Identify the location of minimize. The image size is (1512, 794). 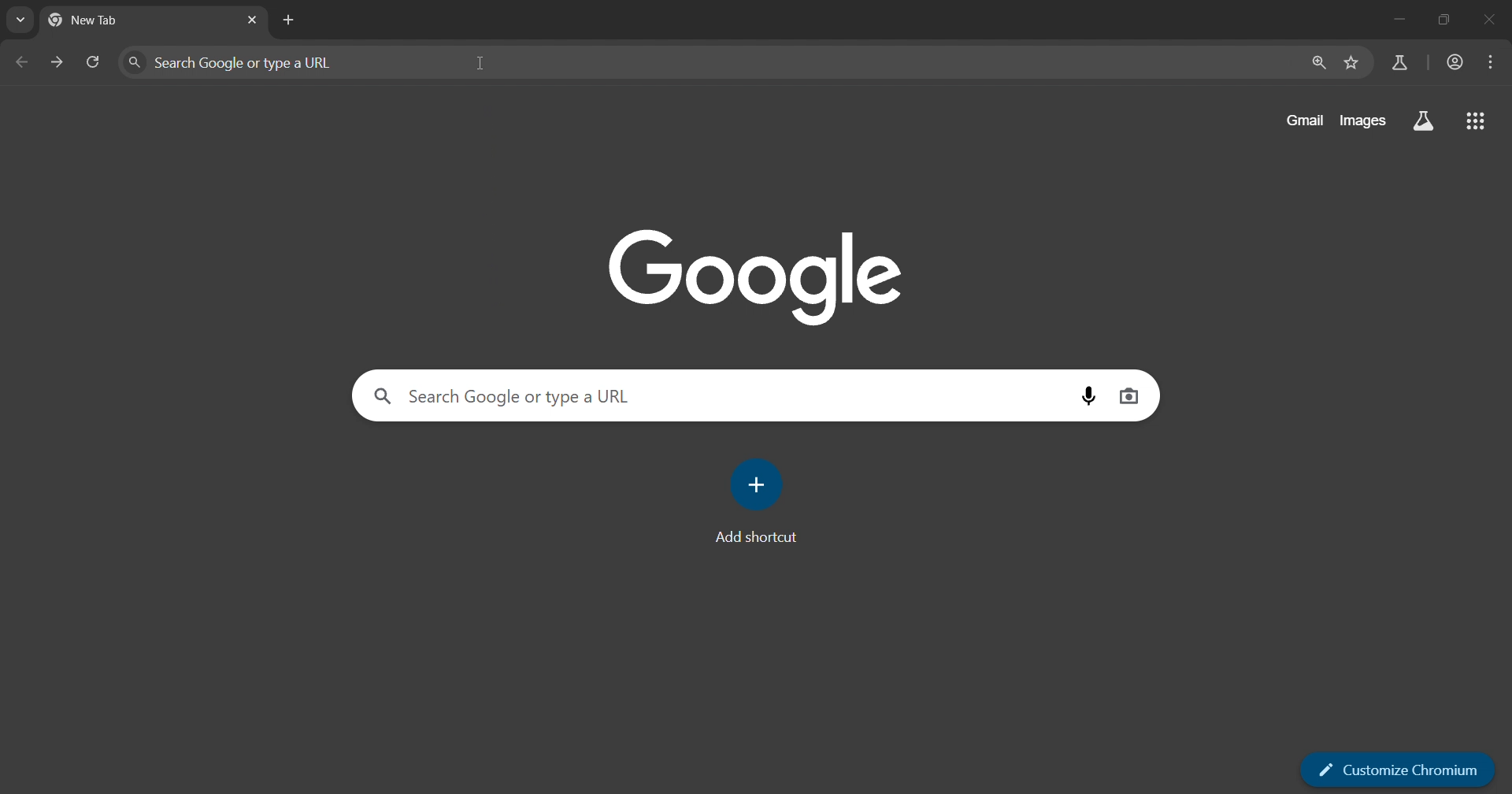
(1395, 20).